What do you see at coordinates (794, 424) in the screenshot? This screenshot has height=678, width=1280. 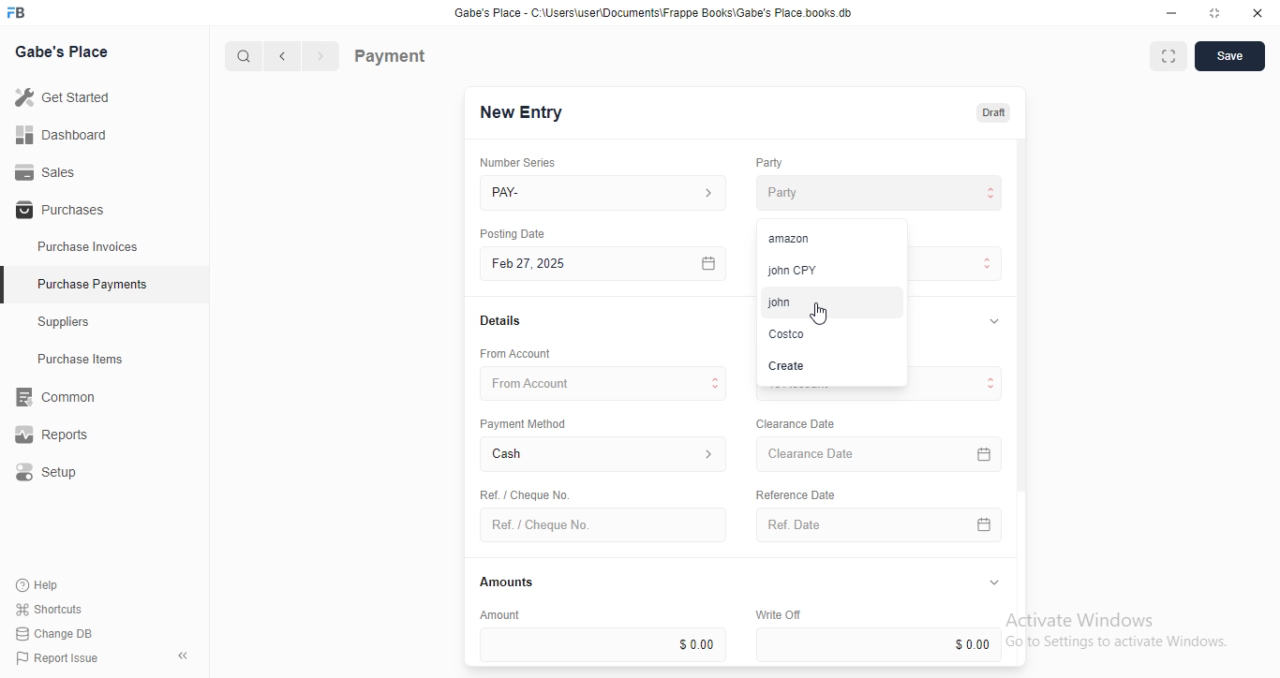 I see `Clearance Date` at bounding box center [794, 424].